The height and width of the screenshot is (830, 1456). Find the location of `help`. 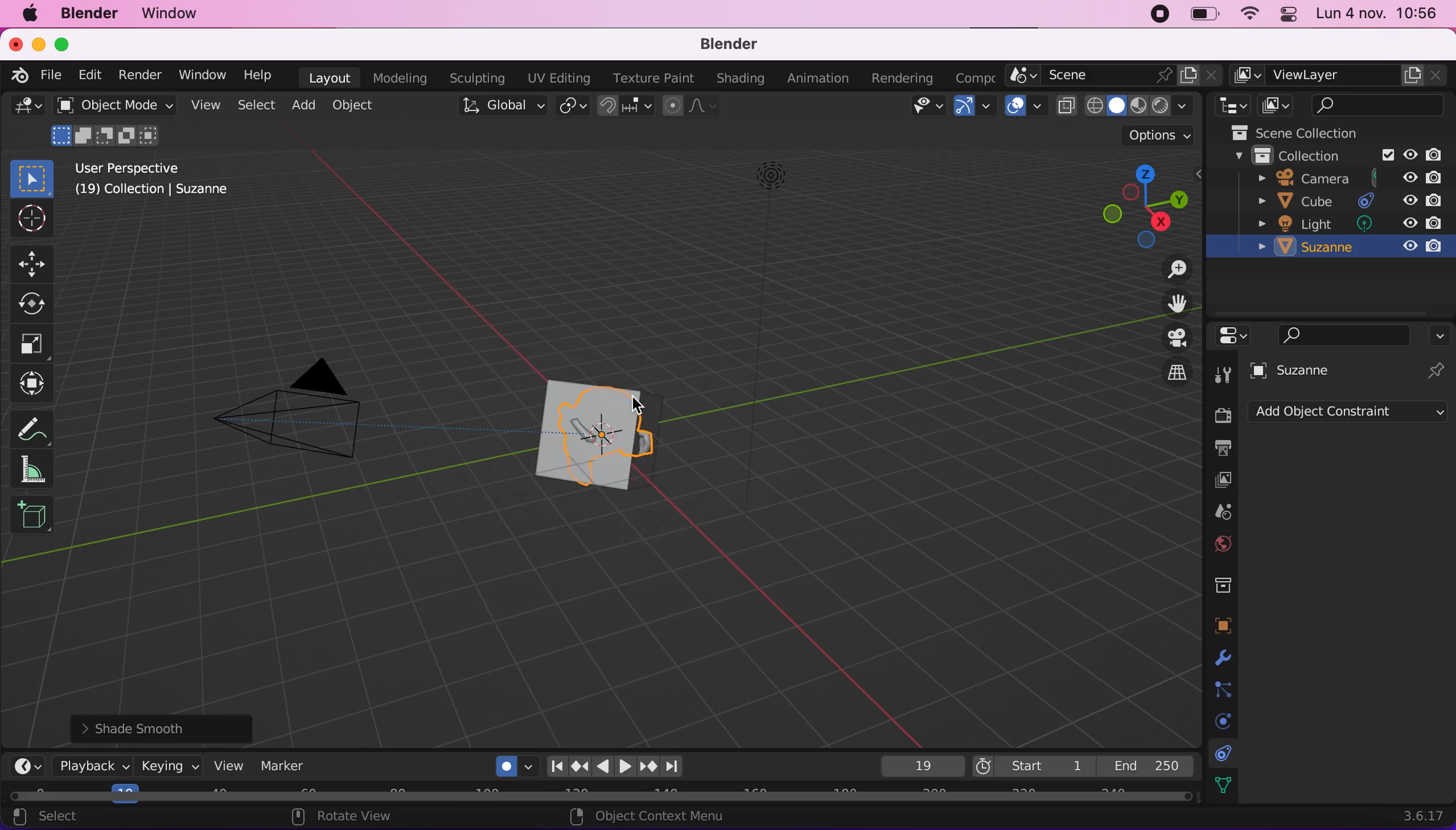

help is located at coordinates (260, 75).